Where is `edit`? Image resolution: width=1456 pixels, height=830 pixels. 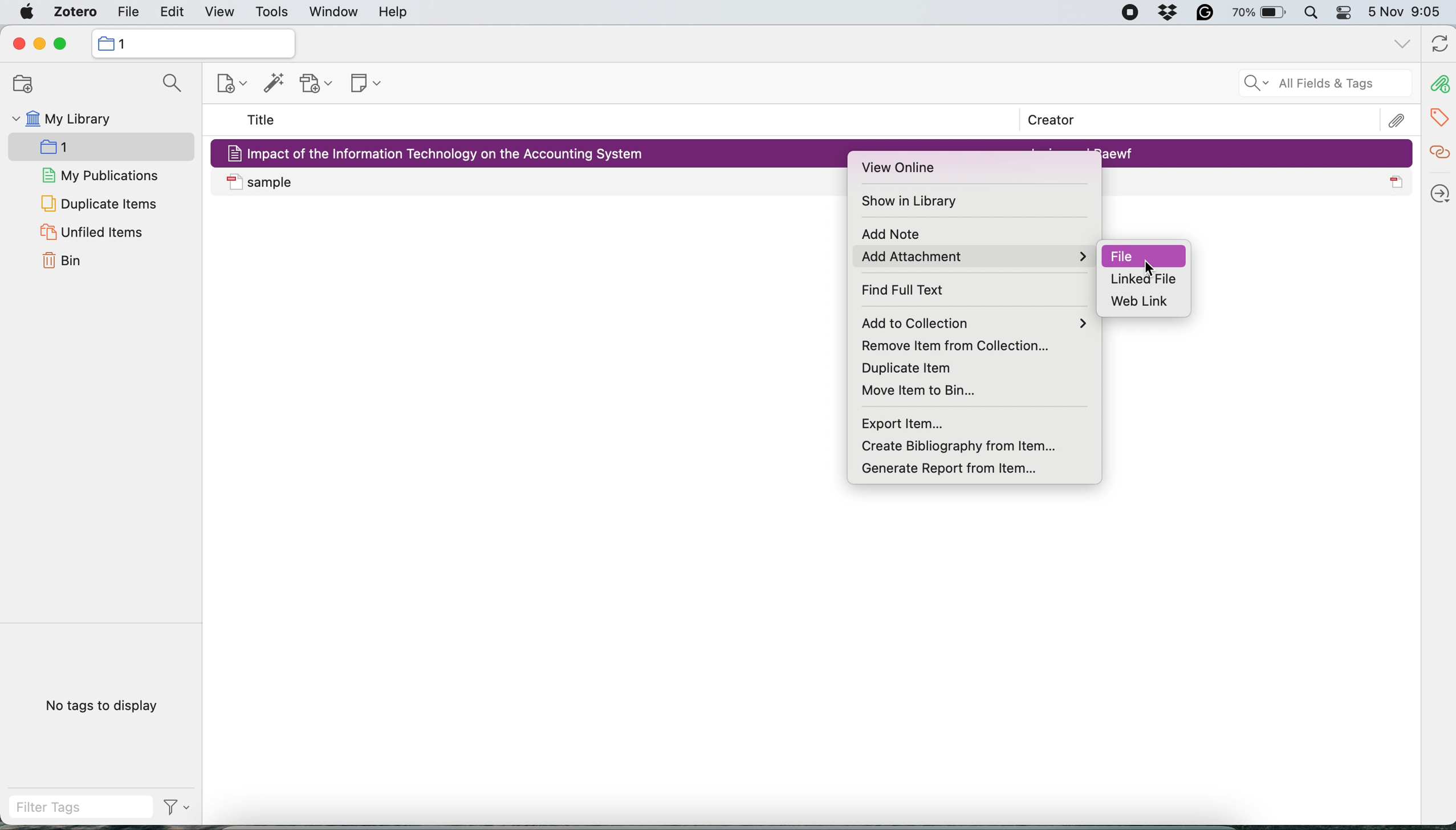 edit is located at coordinates (173, 14).